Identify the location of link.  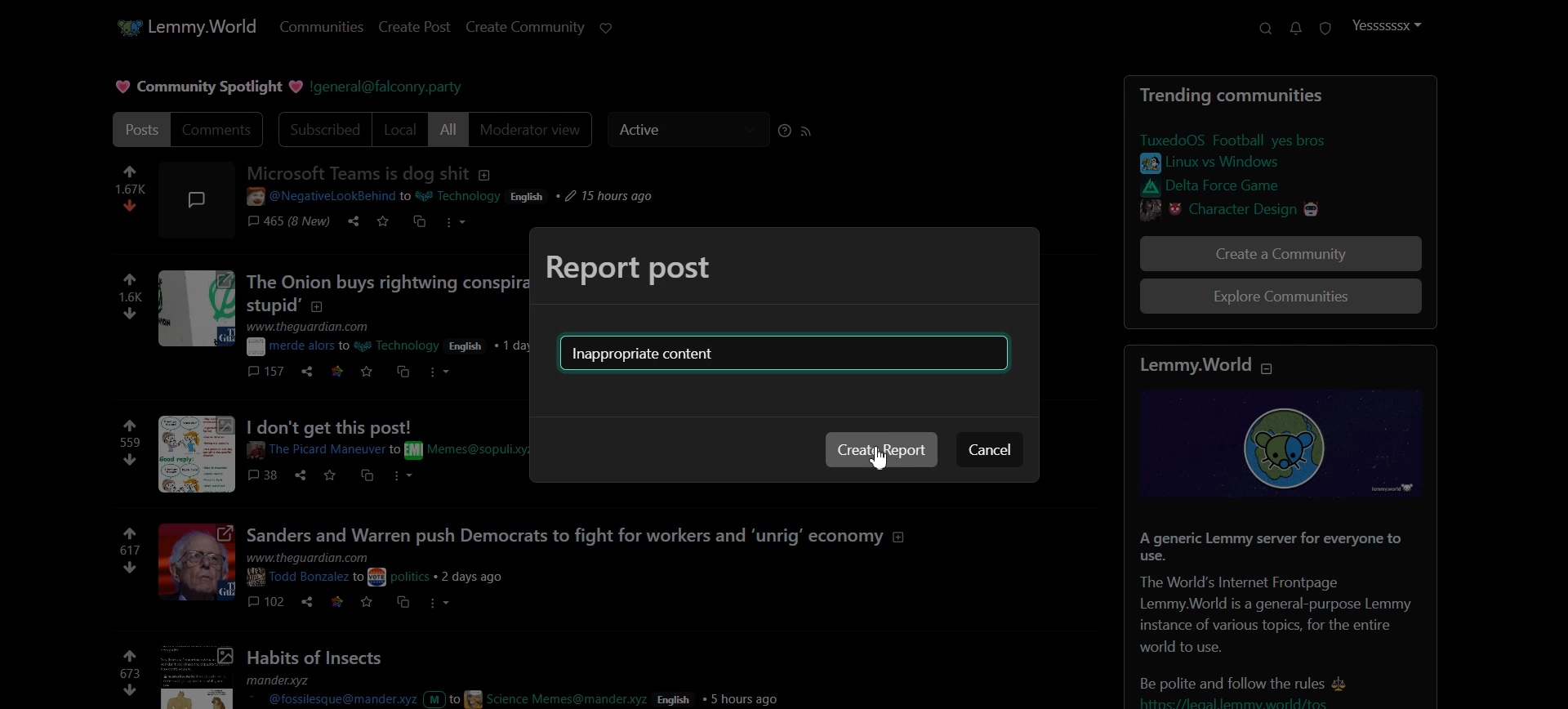
(1243, 187).